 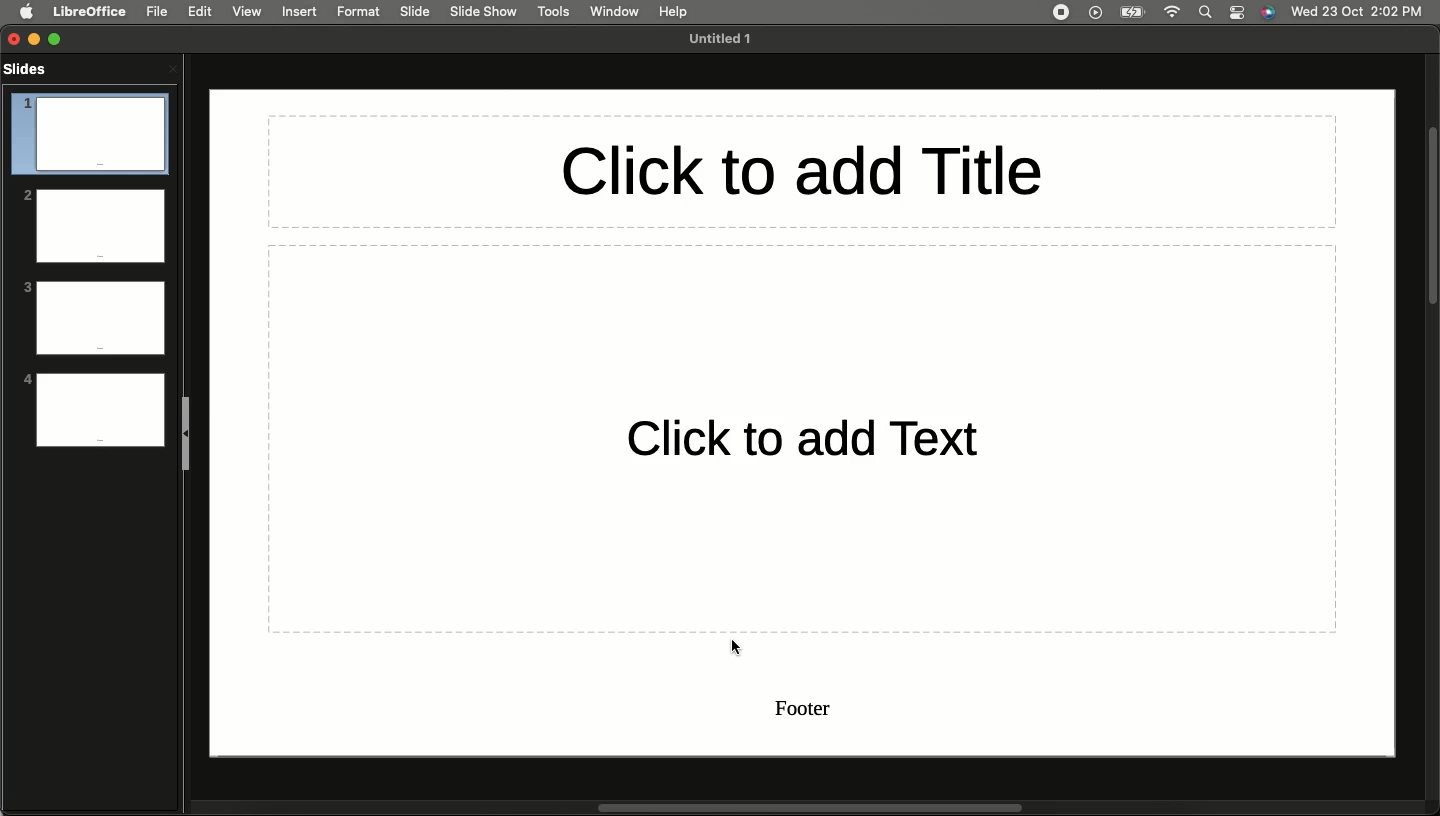 I want to click on Video player, so click(x=1094, y=14).